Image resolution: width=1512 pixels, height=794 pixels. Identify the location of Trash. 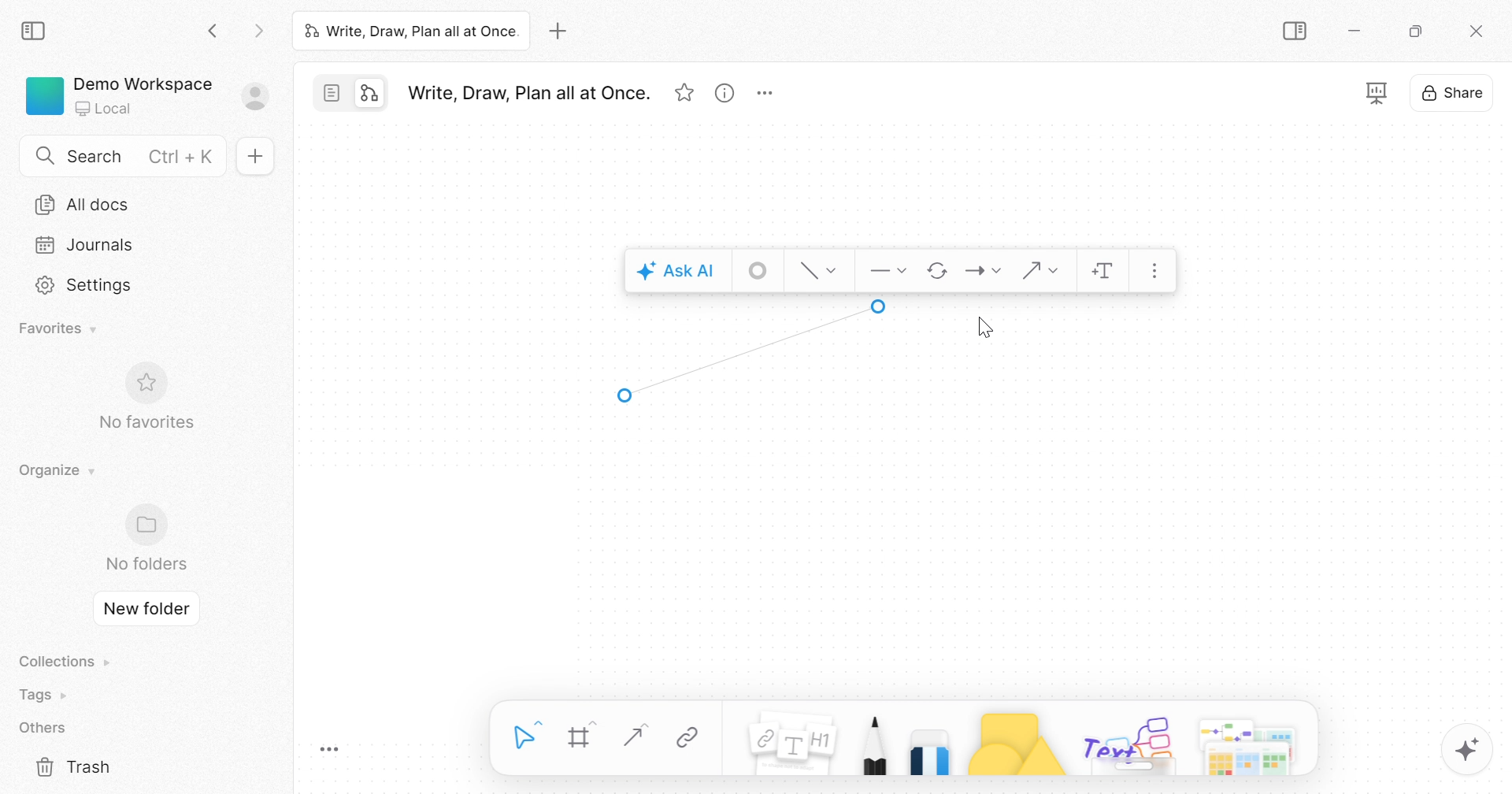
(76, 768).